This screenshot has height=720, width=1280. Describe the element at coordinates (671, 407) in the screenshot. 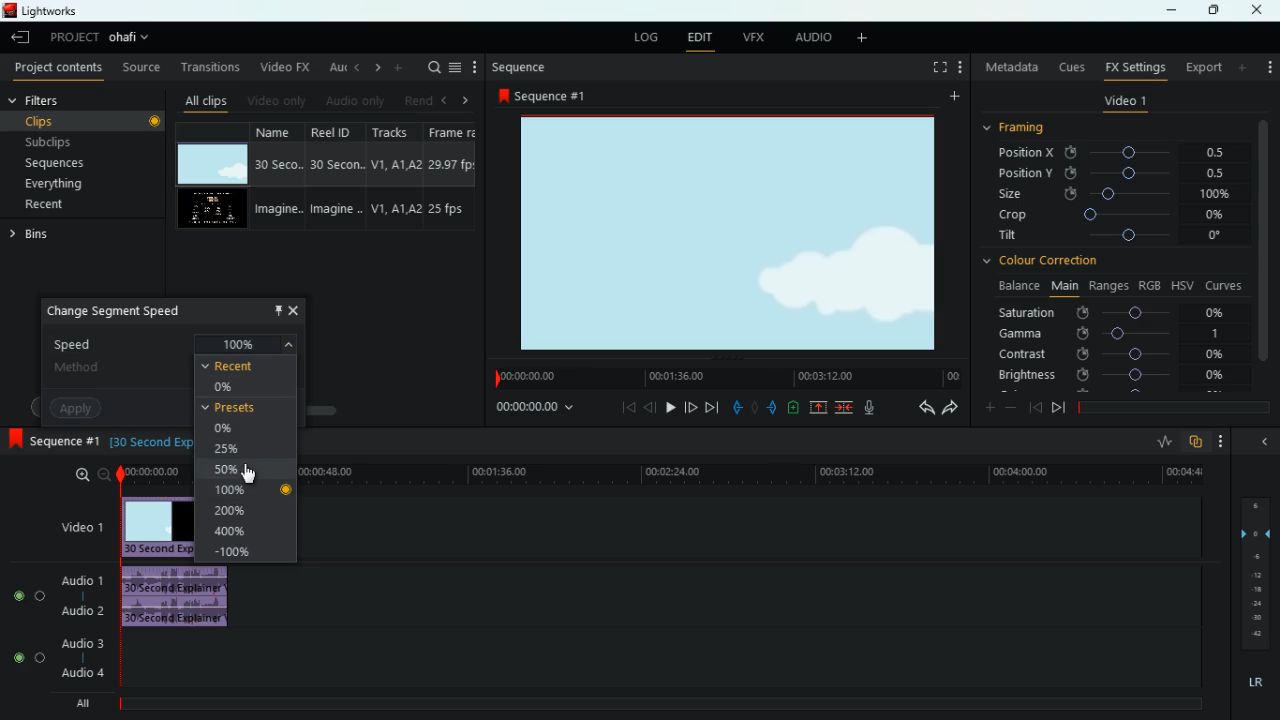

I see `play` at that location.